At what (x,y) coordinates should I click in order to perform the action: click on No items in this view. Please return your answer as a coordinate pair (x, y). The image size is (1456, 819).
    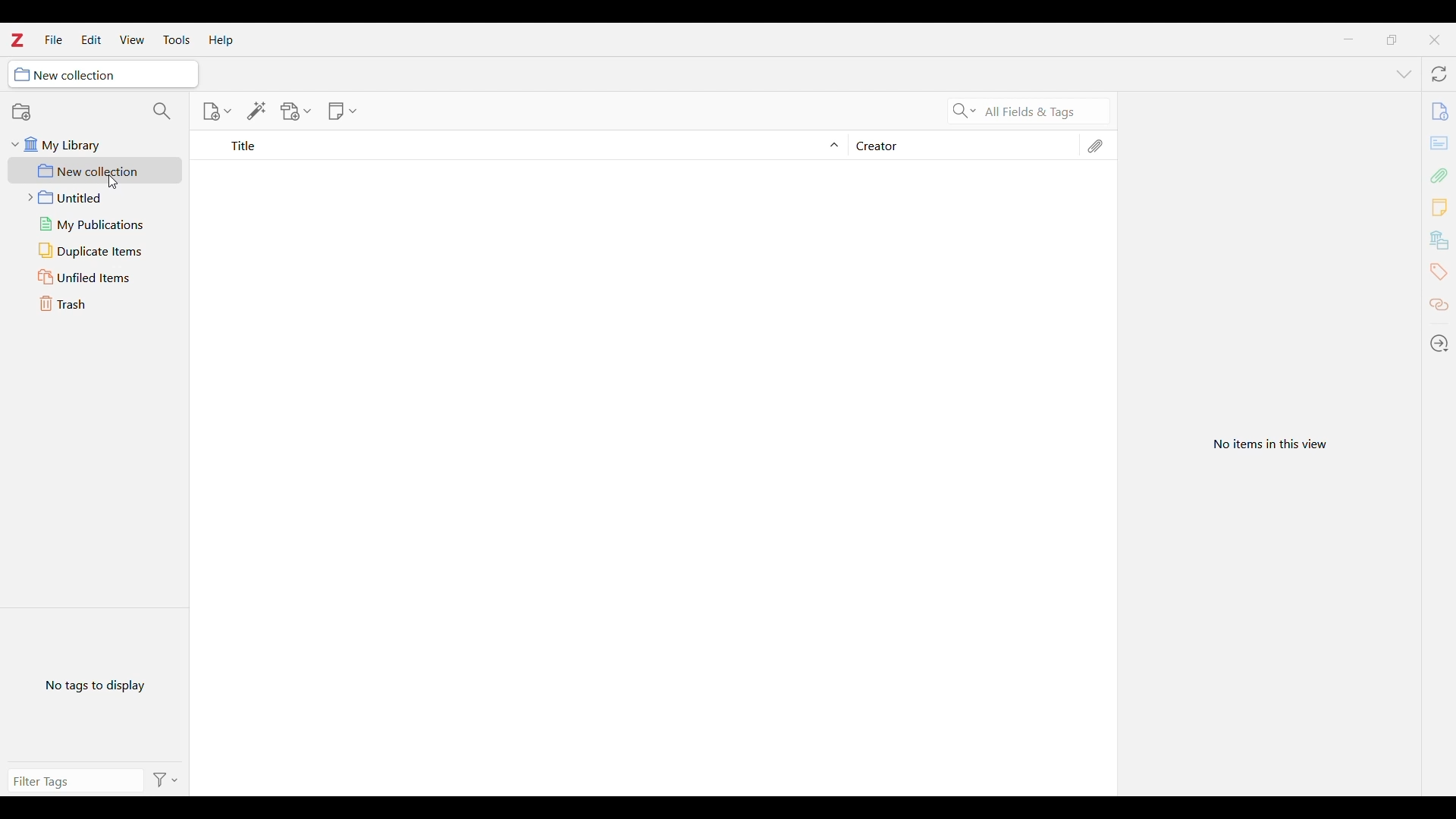
    Looking at the image, I should click on (1269, 445).